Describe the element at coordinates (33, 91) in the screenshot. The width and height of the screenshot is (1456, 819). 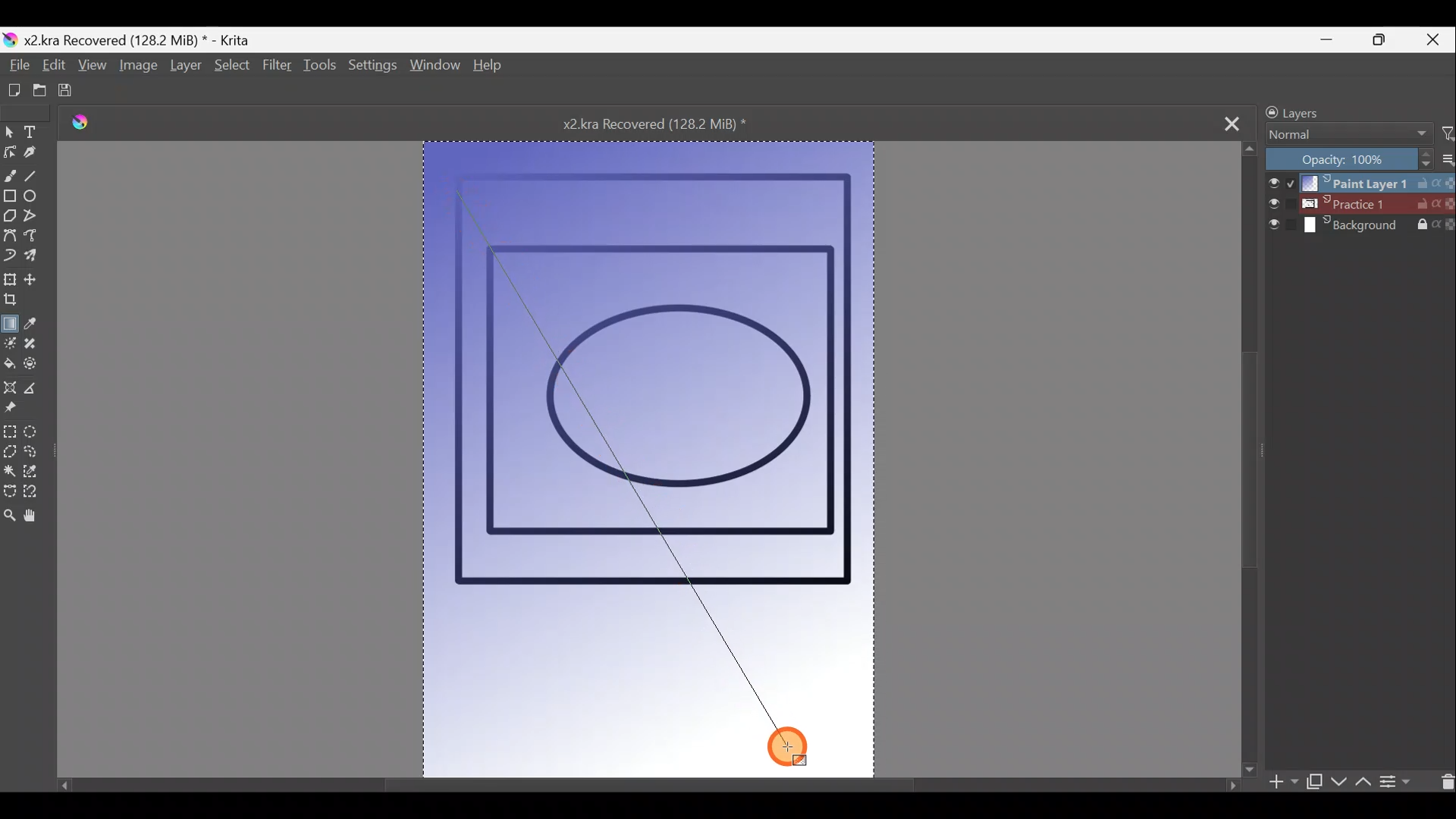
I see `Open existing document` at that location.